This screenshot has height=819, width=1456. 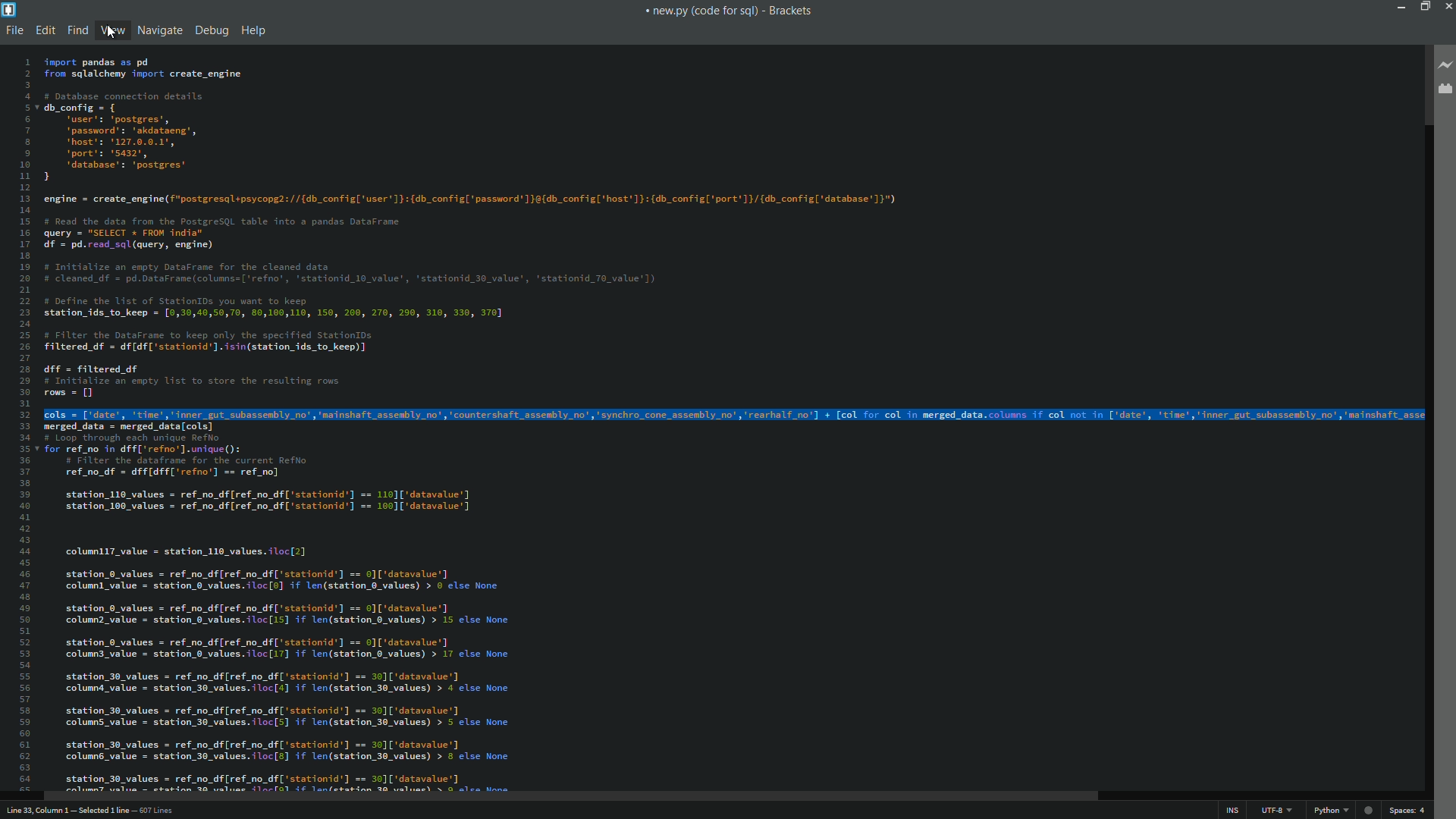 I want to click on spaces, so click(x=1407, y=810).